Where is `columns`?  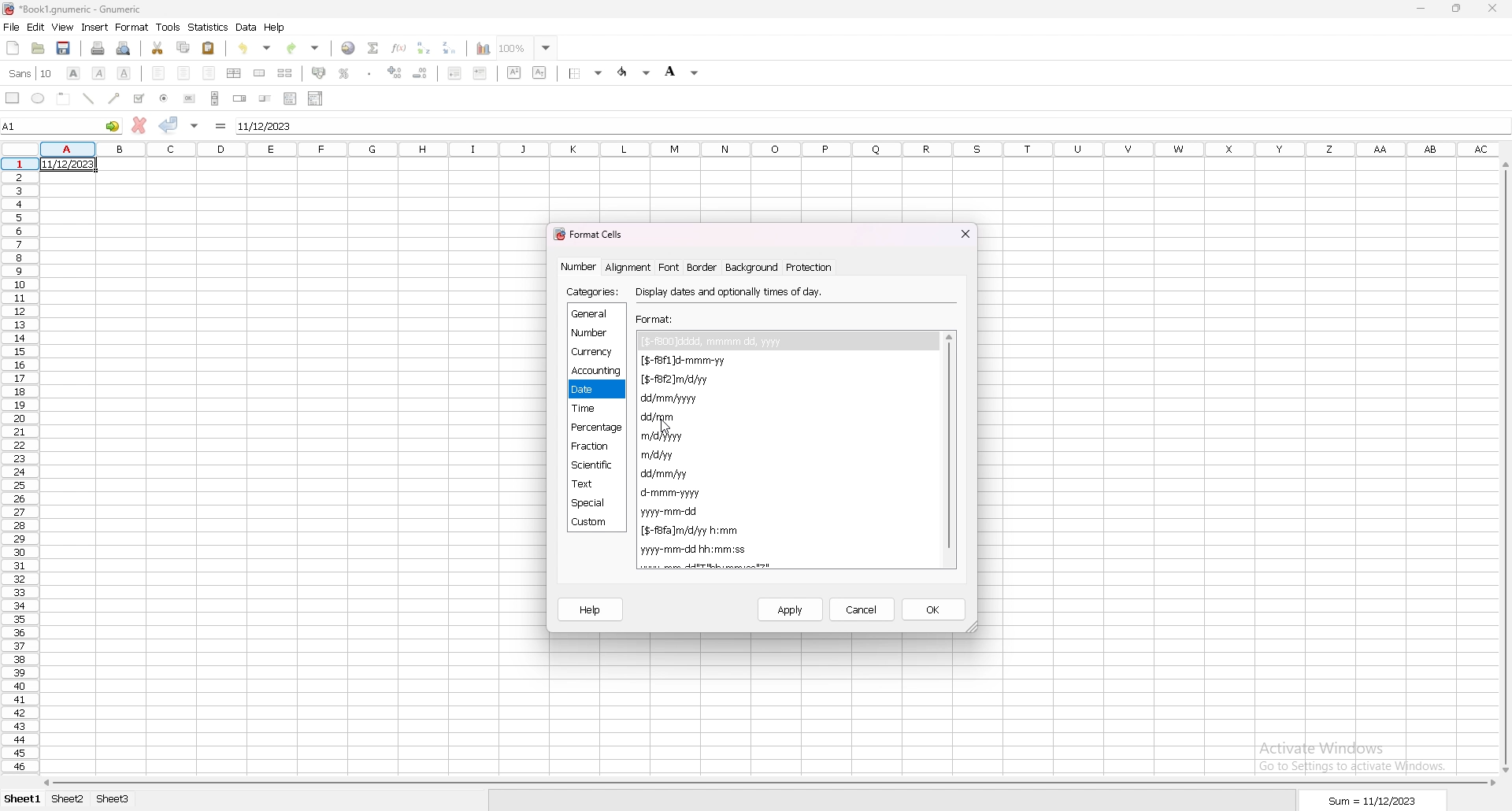 columns is located at coordinates (772, 148).